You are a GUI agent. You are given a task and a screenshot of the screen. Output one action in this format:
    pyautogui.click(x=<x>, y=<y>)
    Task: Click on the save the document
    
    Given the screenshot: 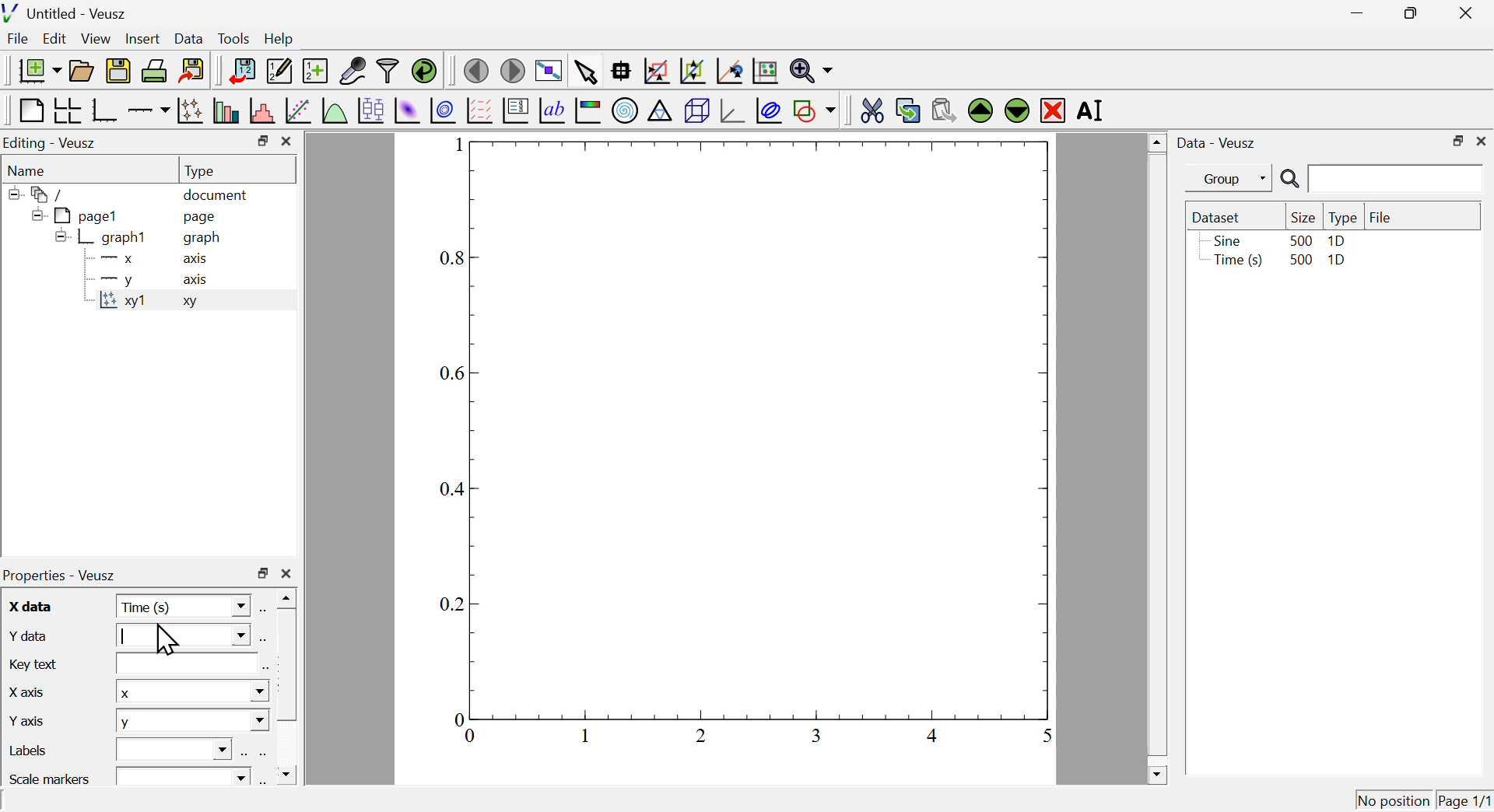 What is the action you would take?
    pyautogui.click(x=118, y=72)
    